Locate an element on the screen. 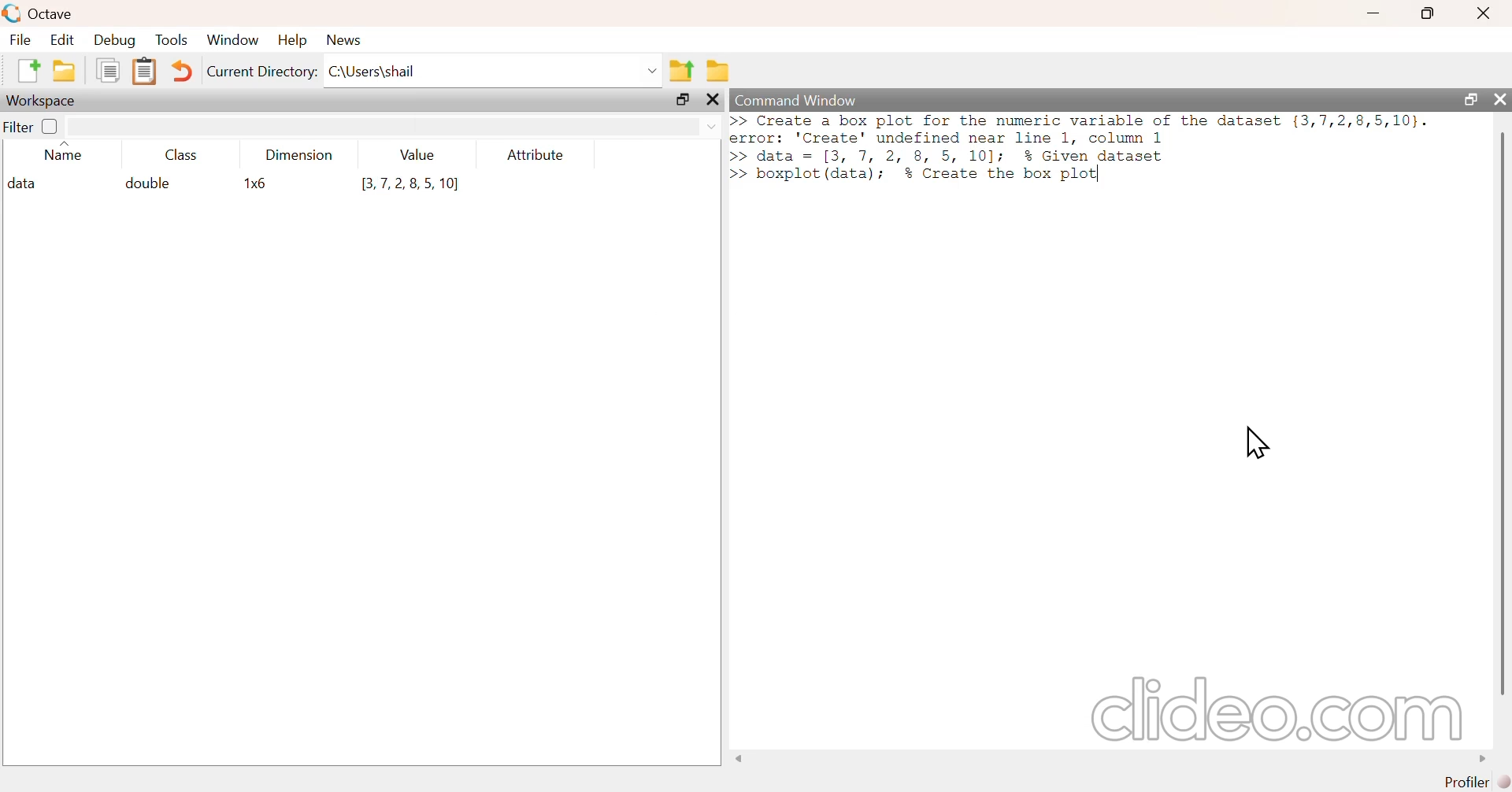 The height and width of the screenshot is (792, 1512). attribute is located at coordinates (535, 154).